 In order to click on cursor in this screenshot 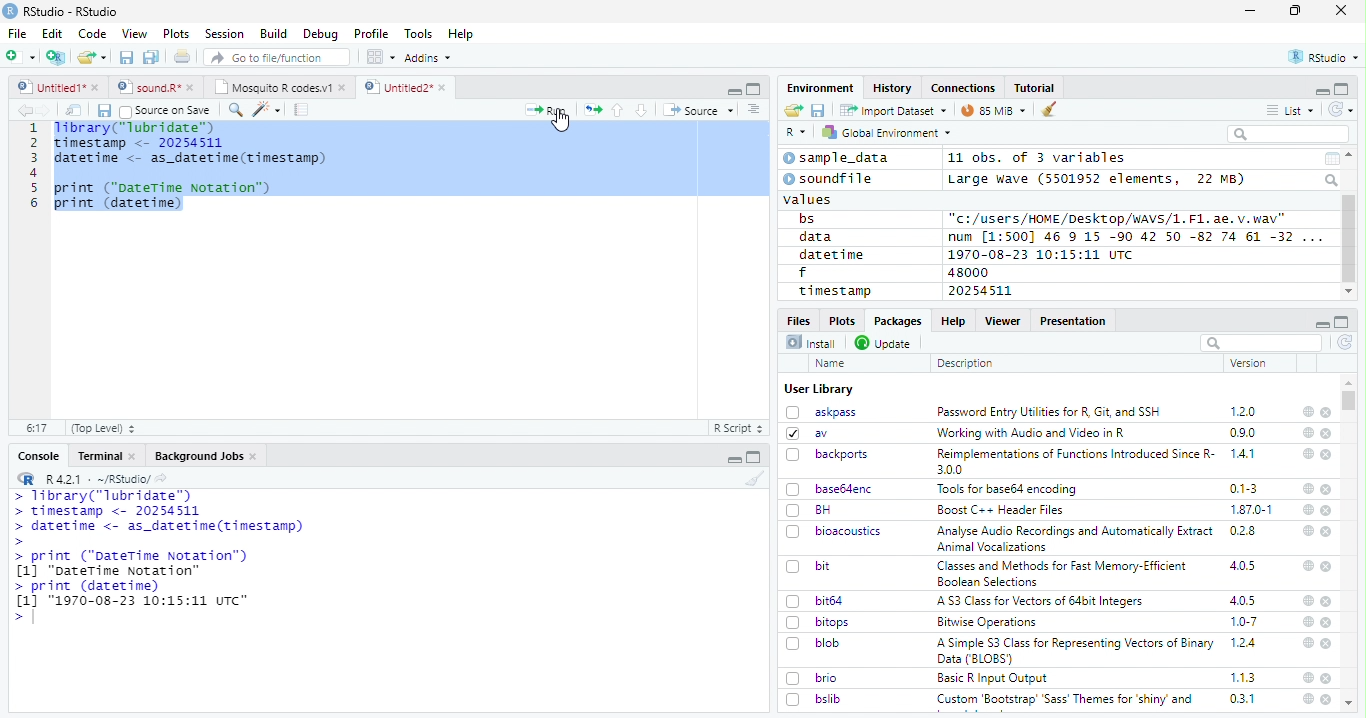, I will do `click(564, 123)`.